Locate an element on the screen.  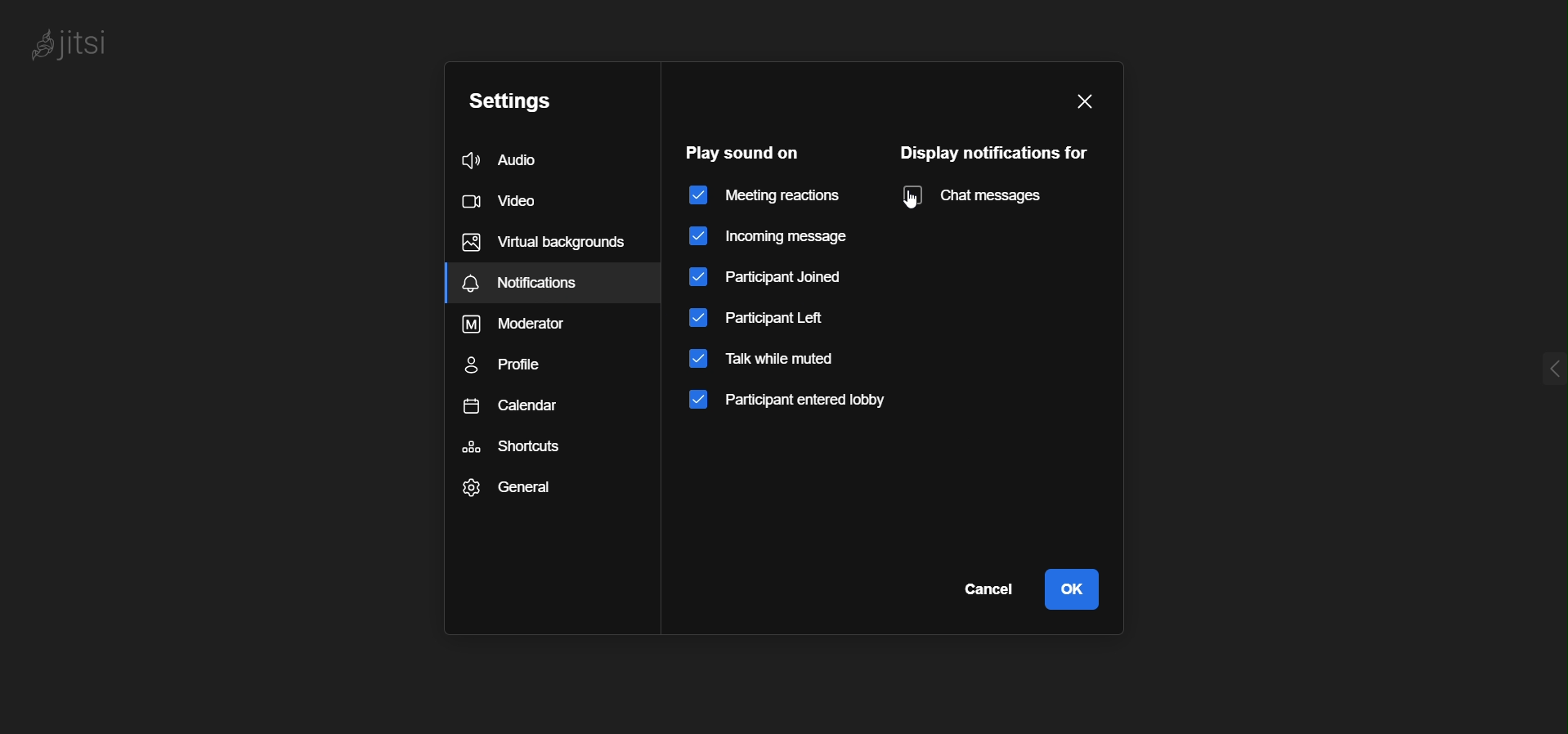
chat messages is located at coordinates (987, 195).